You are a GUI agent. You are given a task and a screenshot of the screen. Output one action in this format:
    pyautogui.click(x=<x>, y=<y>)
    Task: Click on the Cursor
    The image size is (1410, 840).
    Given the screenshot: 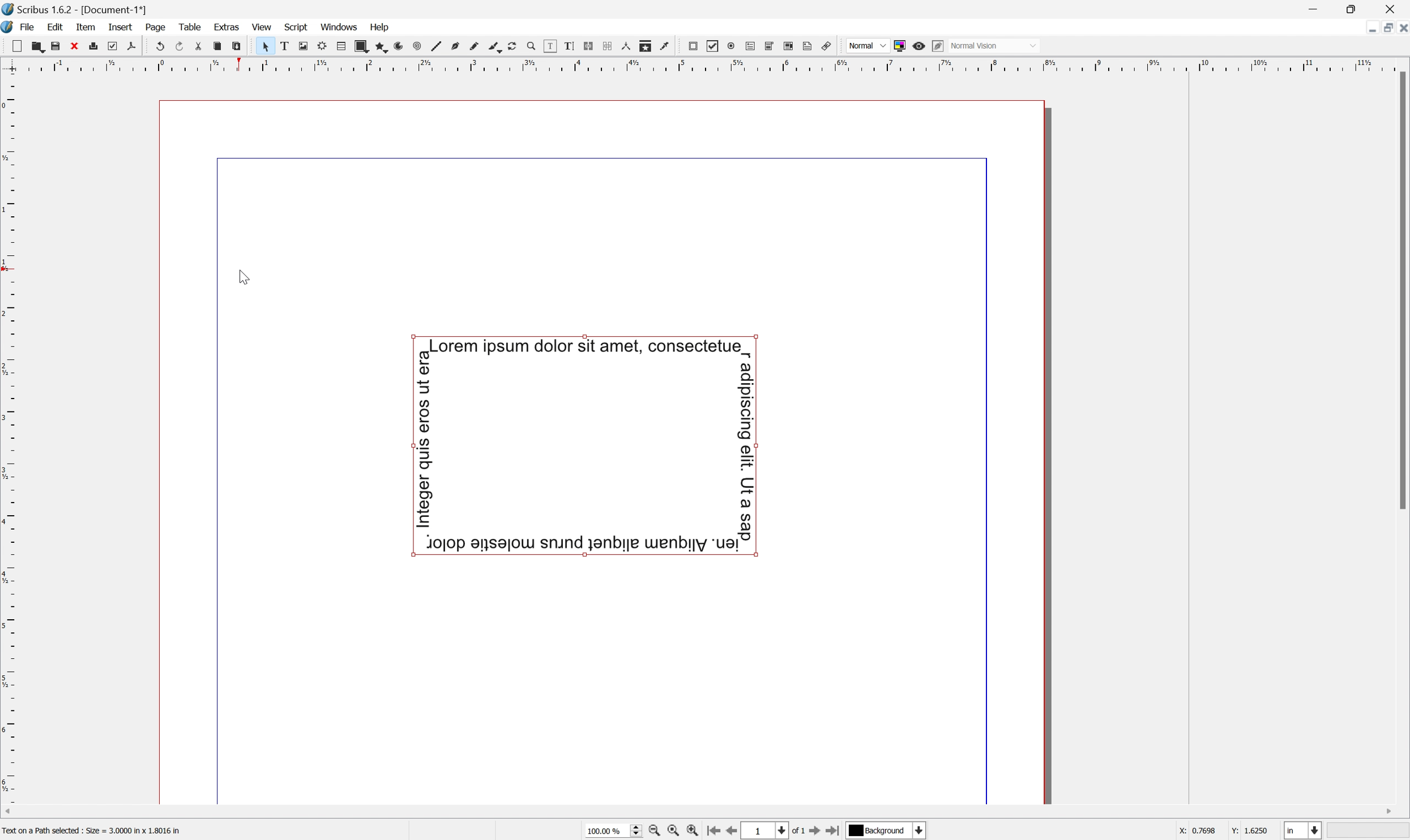 What is the action you would take?
    pyautogui.click(x=243, y=275)
    